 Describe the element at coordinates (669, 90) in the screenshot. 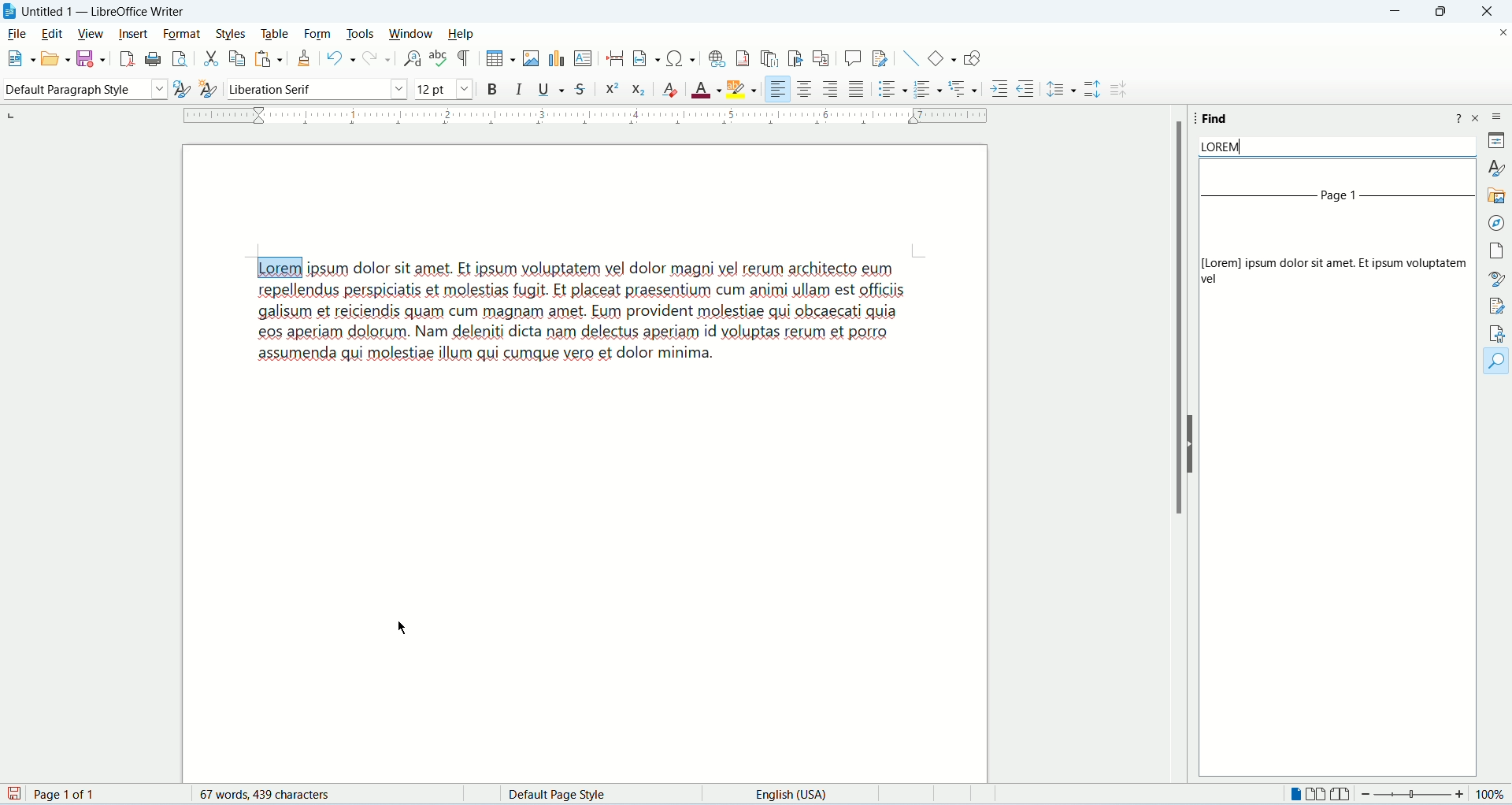

I see `clear formatting` at that location.